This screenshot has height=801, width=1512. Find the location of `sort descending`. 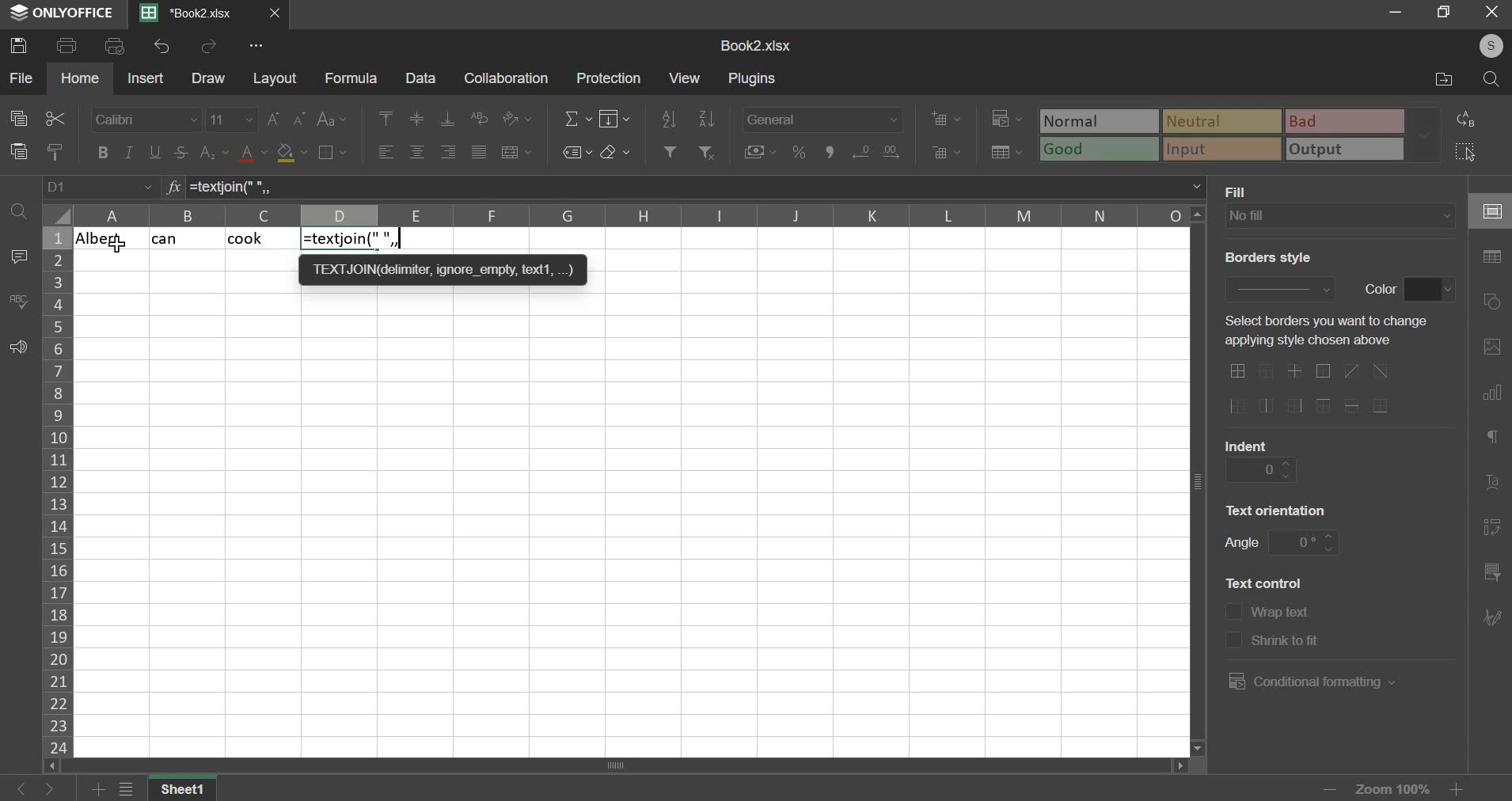

sort descending is located at coordinates (706, 118).